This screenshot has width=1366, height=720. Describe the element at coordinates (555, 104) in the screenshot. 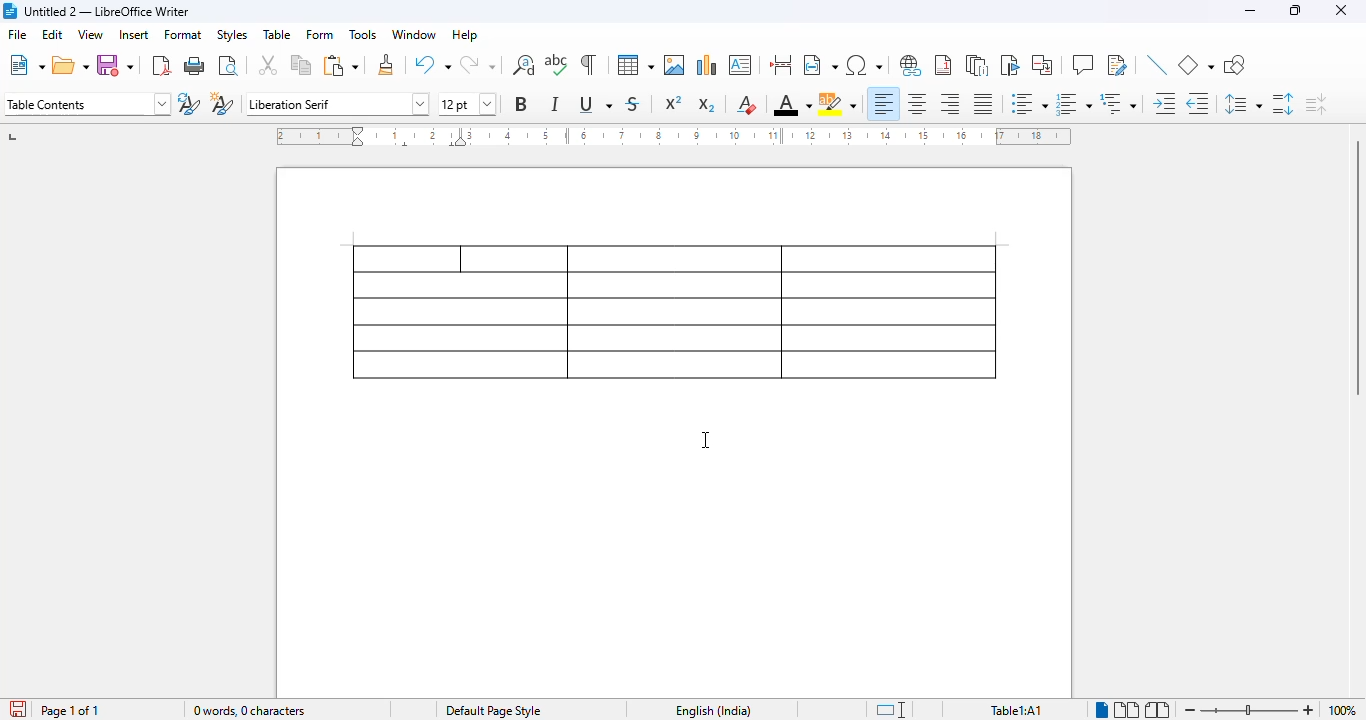

I see `italic` at that location.